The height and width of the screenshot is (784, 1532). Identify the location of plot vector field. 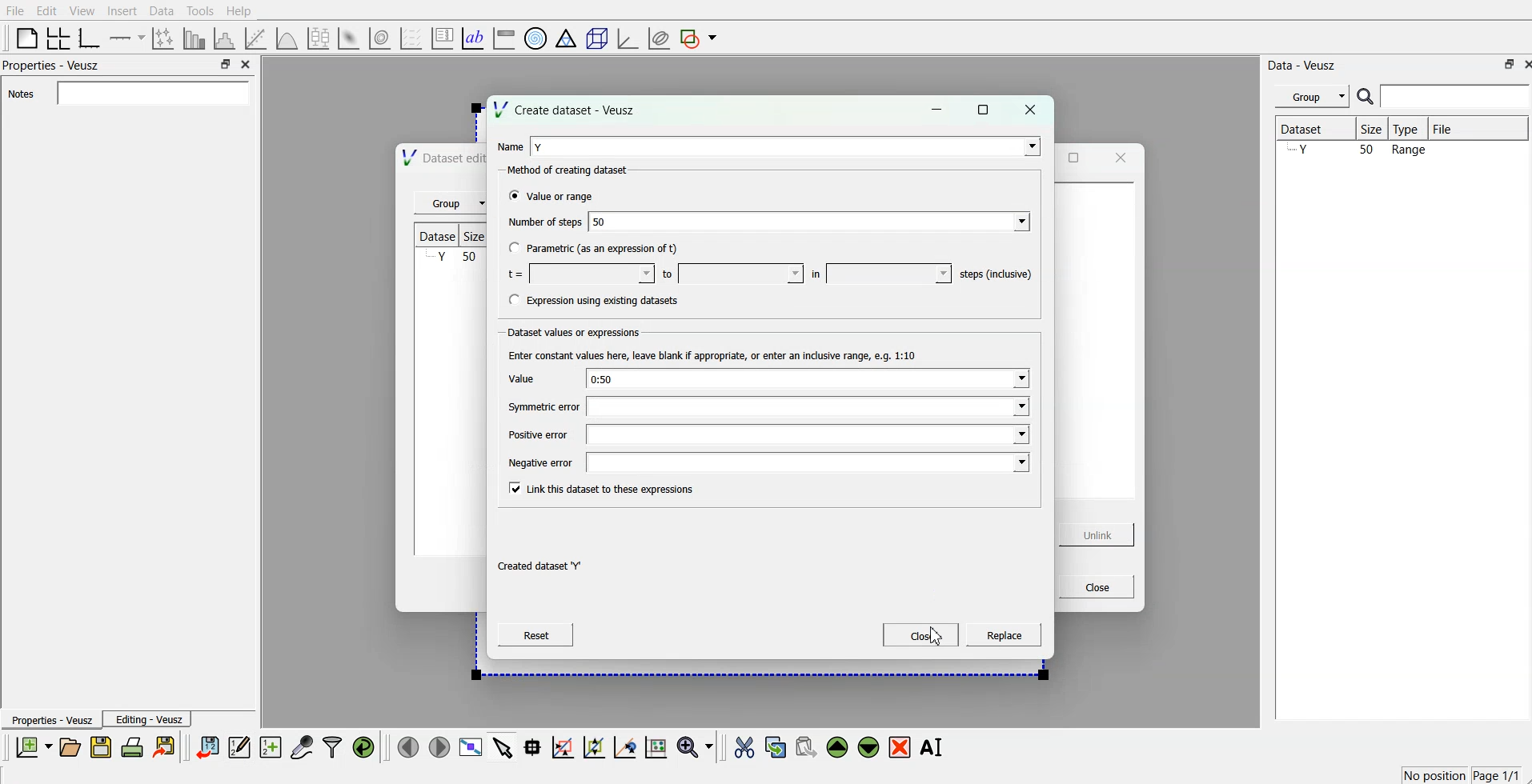
(410, 36).